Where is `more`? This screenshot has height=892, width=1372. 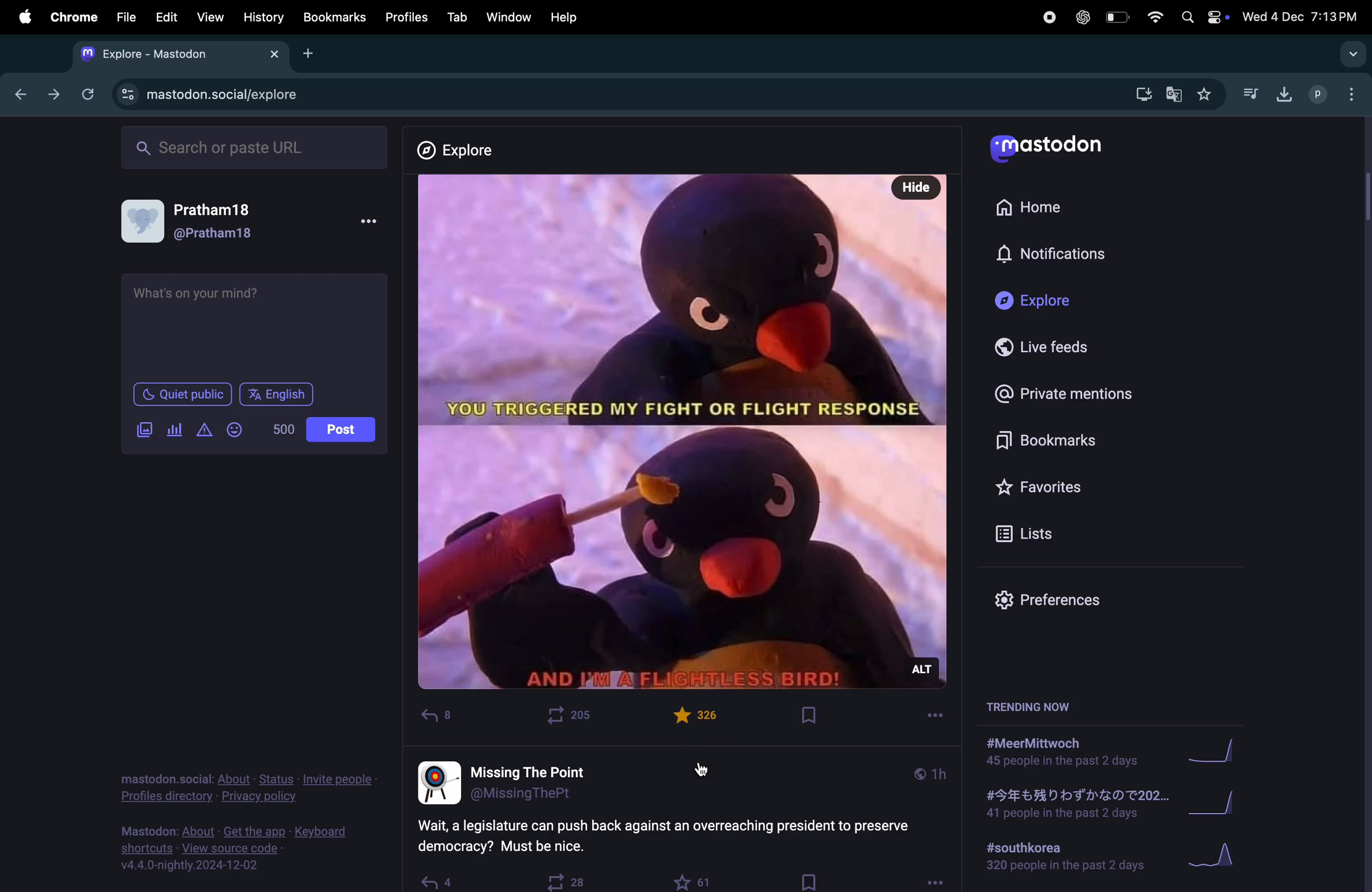
more is located at coordinates (932, 716).